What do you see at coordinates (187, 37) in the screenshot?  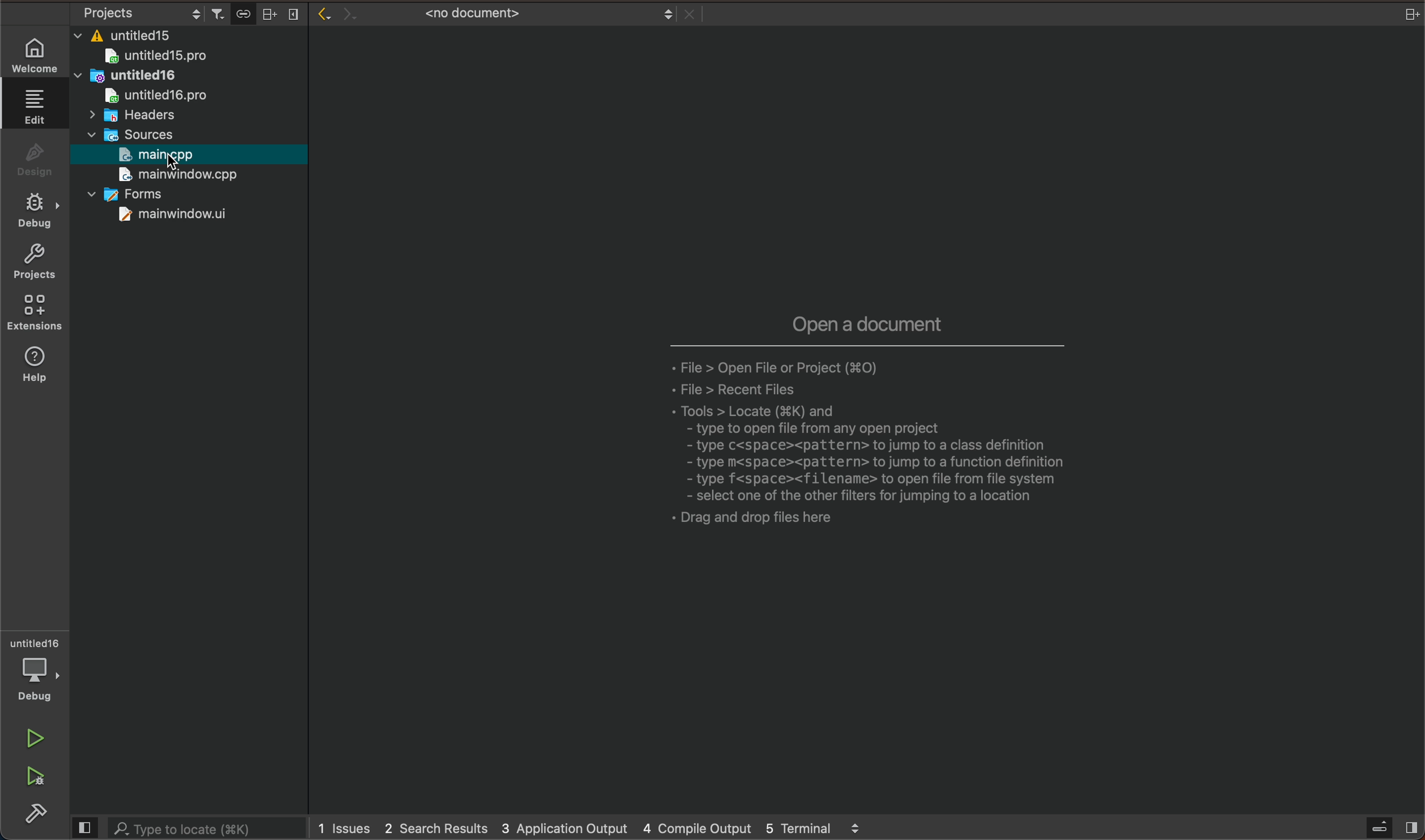 I see `files and folders` at bounding box center [187, 37].